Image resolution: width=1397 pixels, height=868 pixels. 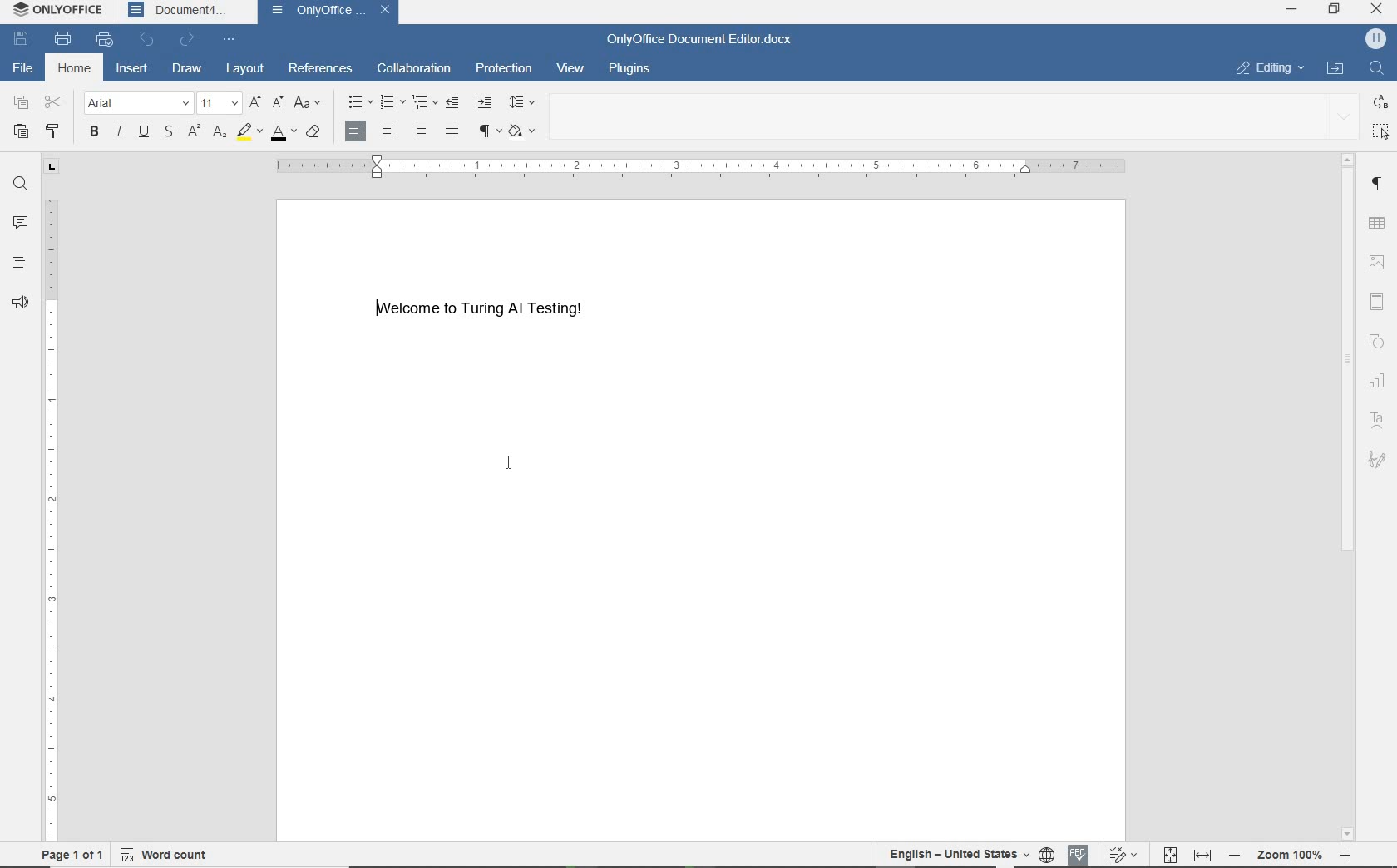 What do you see at coordinates (1290, 857) in the screenshot?
I see `- Zoom 100% +` at bounding box center [1290, 857].